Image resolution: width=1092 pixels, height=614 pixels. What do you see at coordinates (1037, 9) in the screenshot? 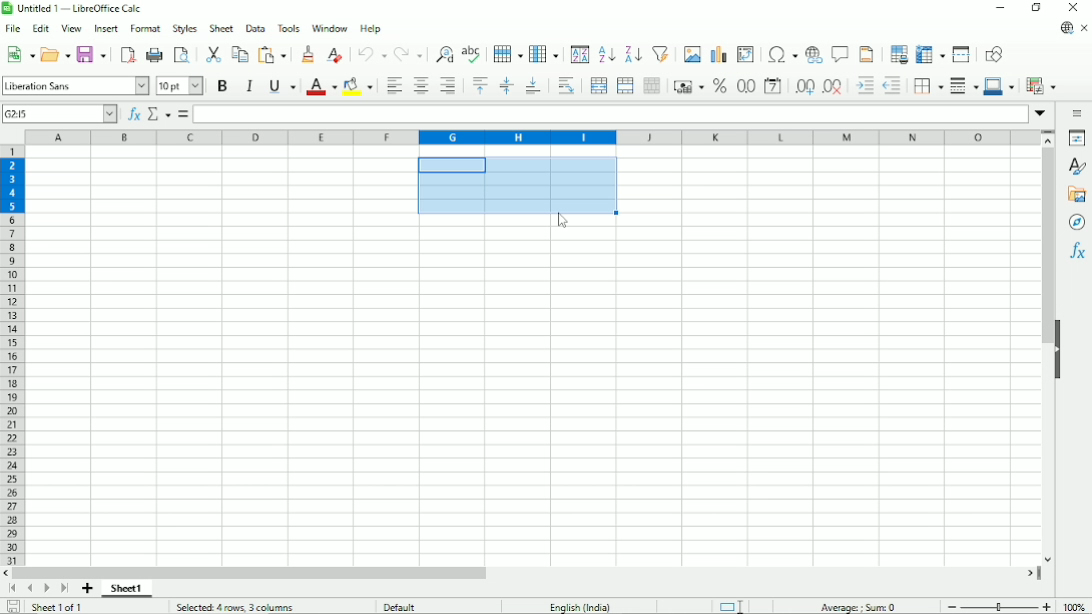
I see `Restore down` at bounding box center [1037, 9].